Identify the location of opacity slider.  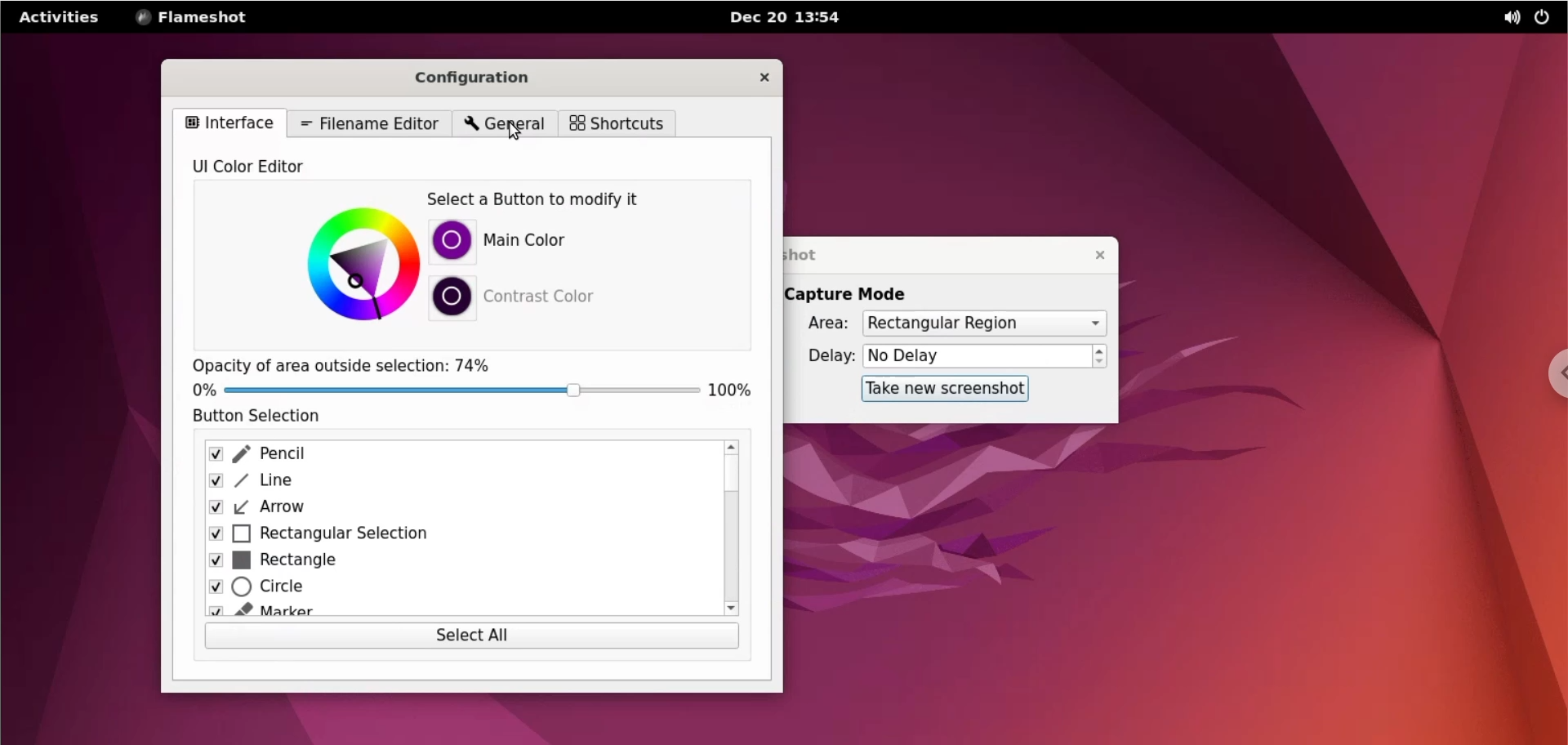
(463, 393).